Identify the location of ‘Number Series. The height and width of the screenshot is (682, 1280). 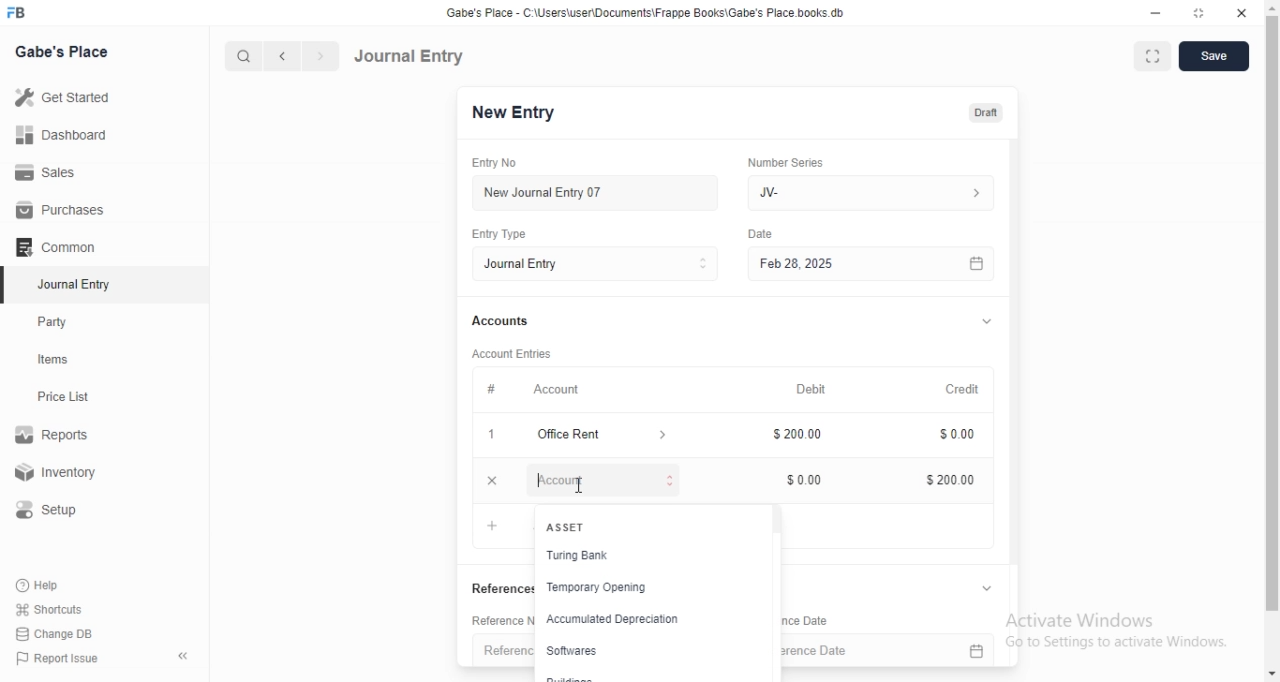
(792, 162).